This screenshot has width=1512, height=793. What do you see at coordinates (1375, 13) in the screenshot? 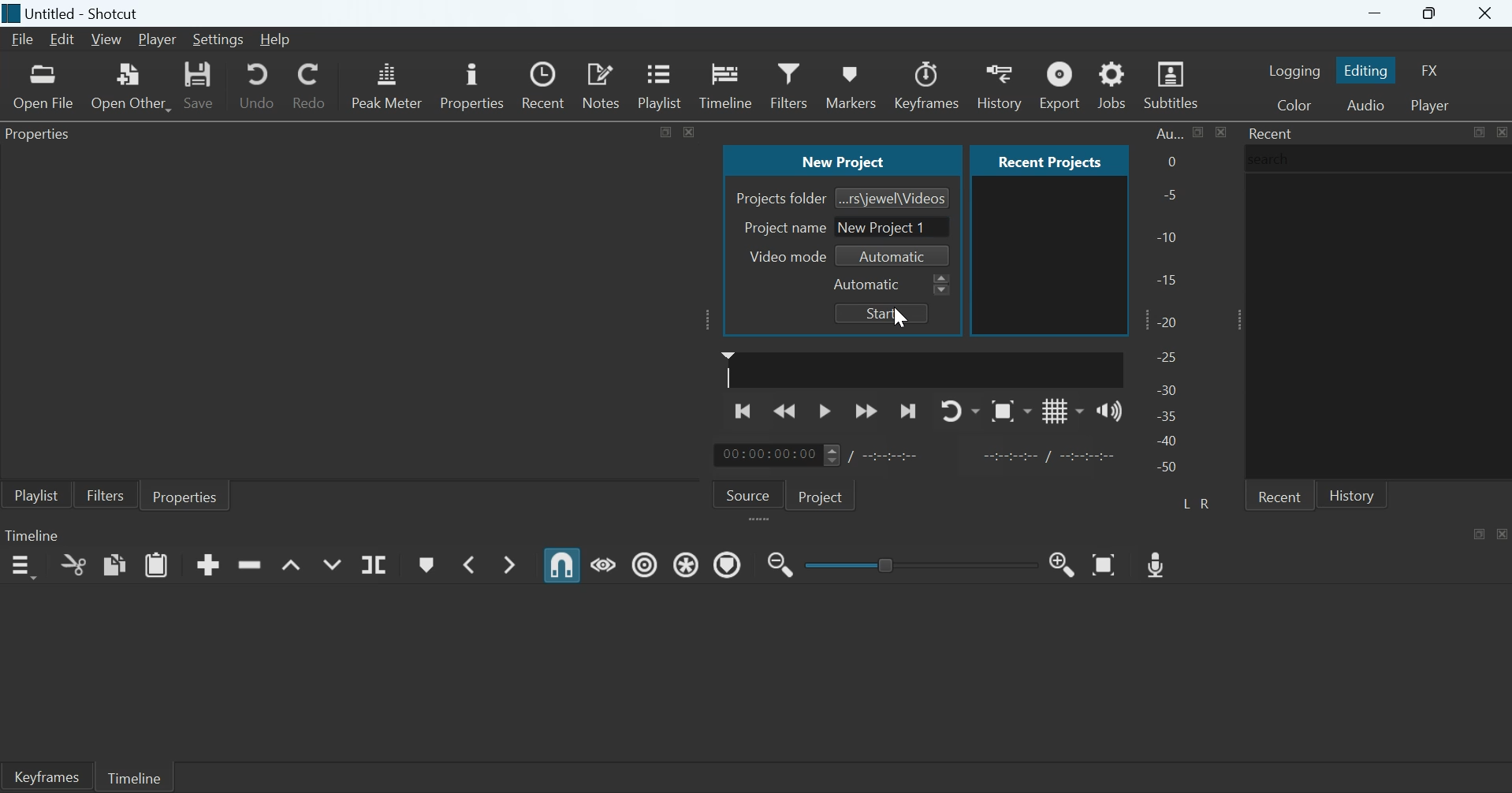
I see `Minimize` at bounding box center [1375, 13].